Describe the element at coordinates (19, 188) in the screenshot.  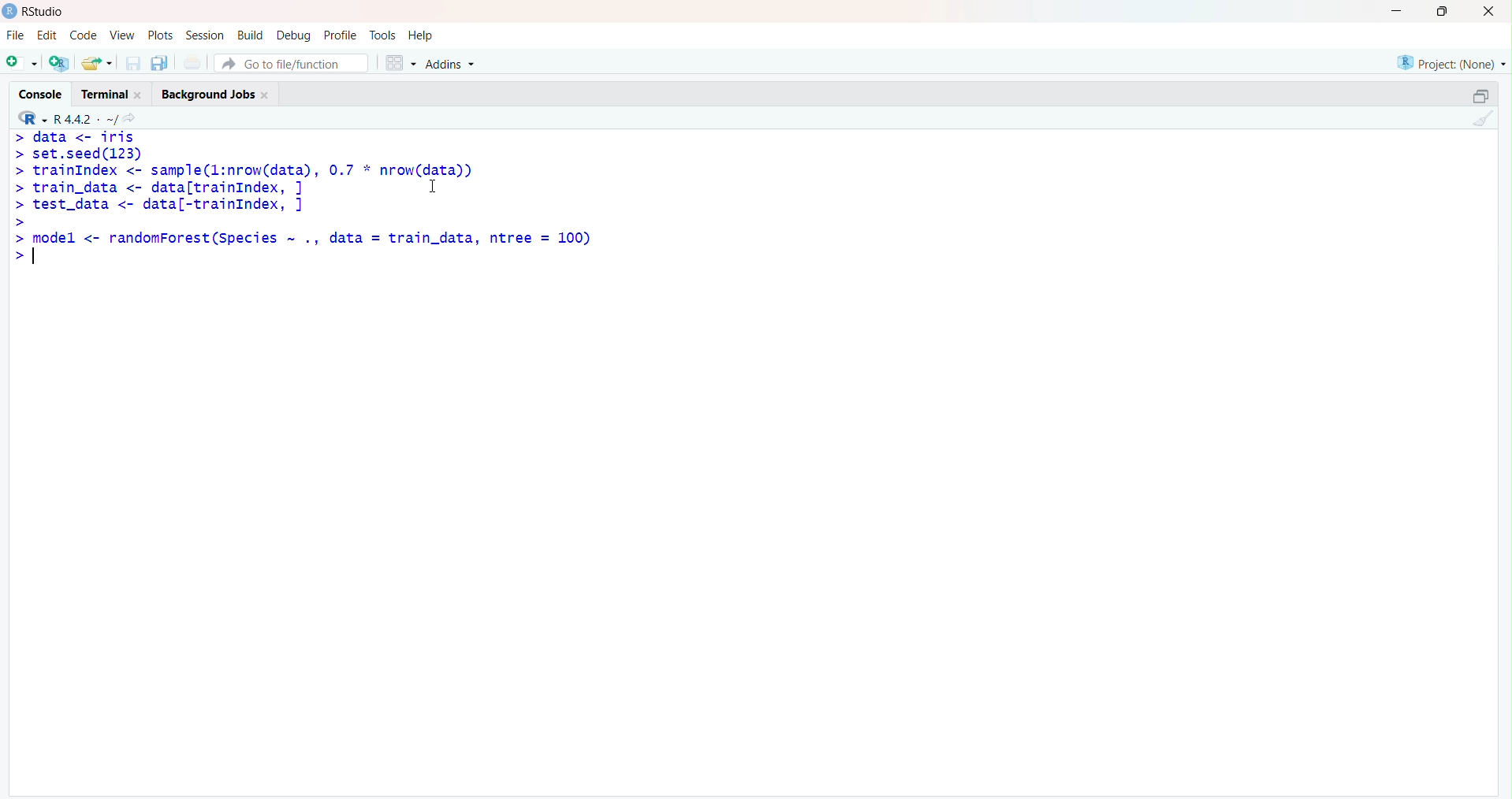
I see `Prompt cursor` at that location.